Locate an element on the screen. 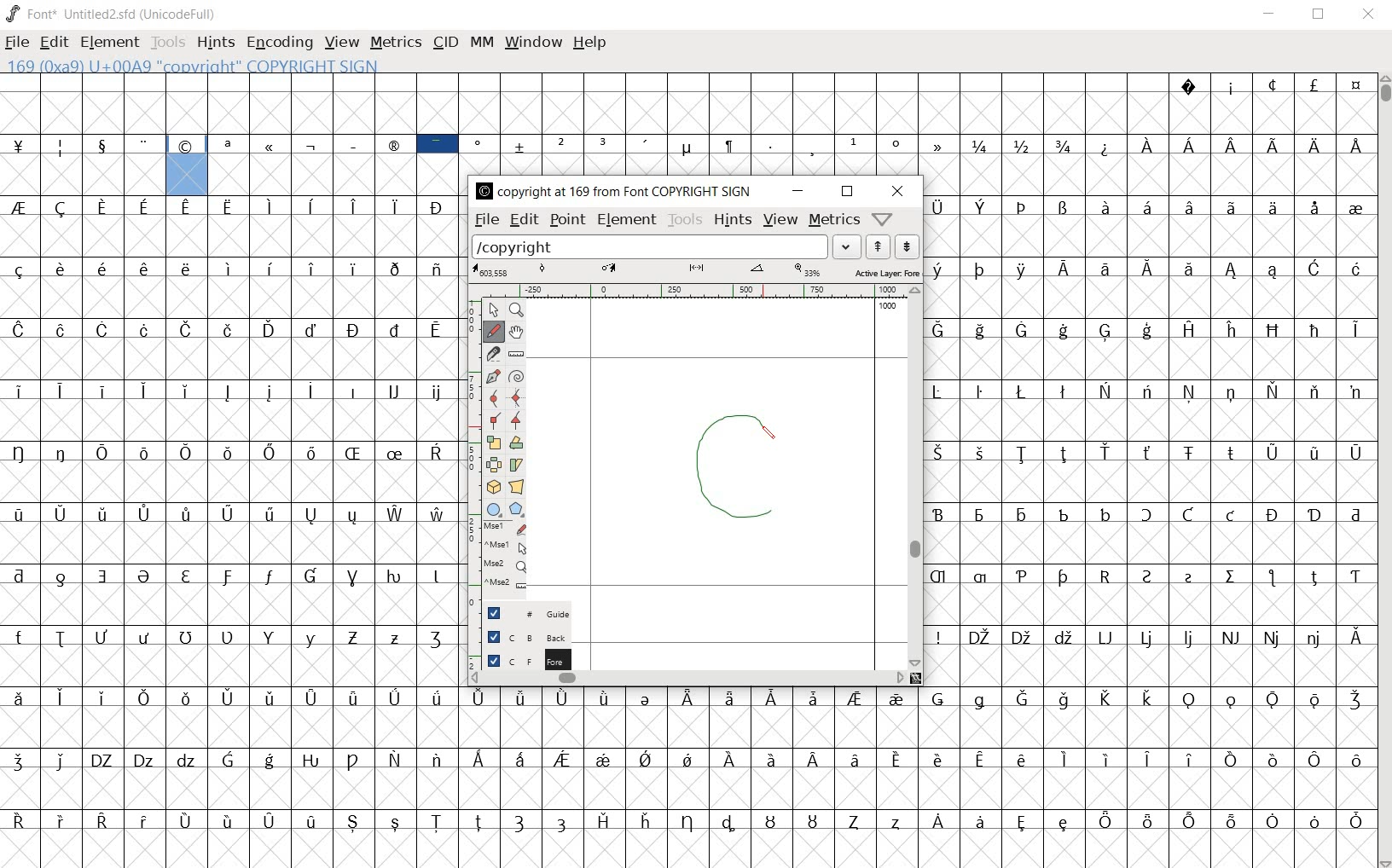 The width and height of the screenshot is (1392, 868). rectangle or ellipse is located at coordinates (494, 508).